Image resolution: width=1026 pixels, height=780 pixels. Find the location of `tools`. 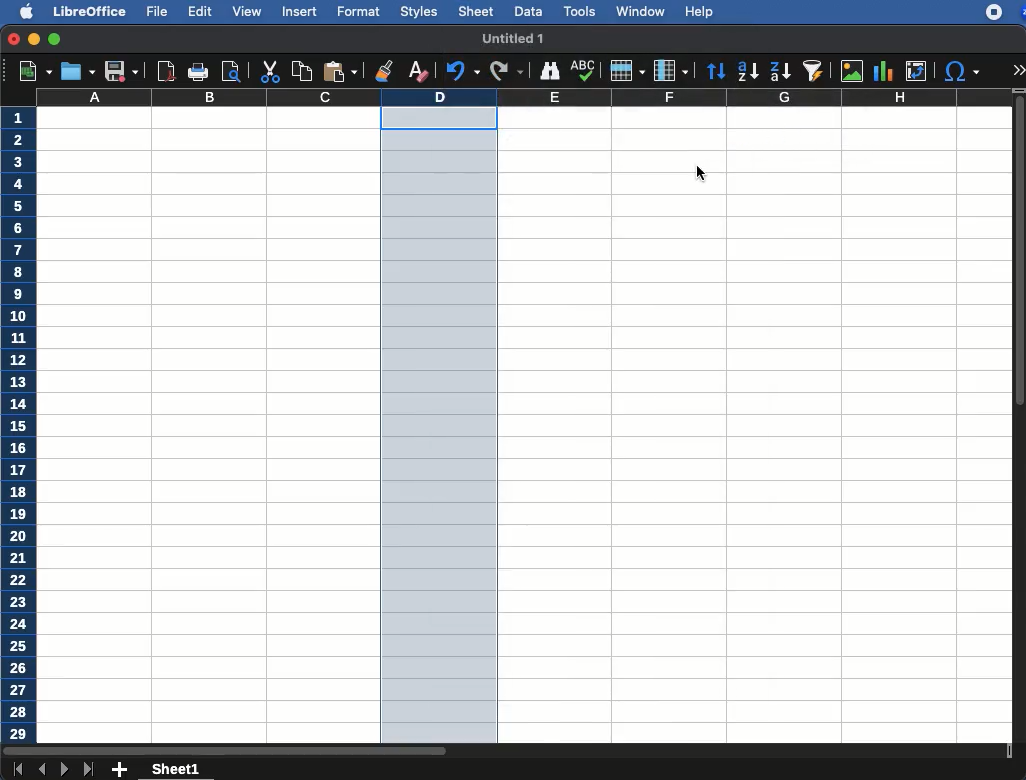

tools is located at coordinates (578, 10).